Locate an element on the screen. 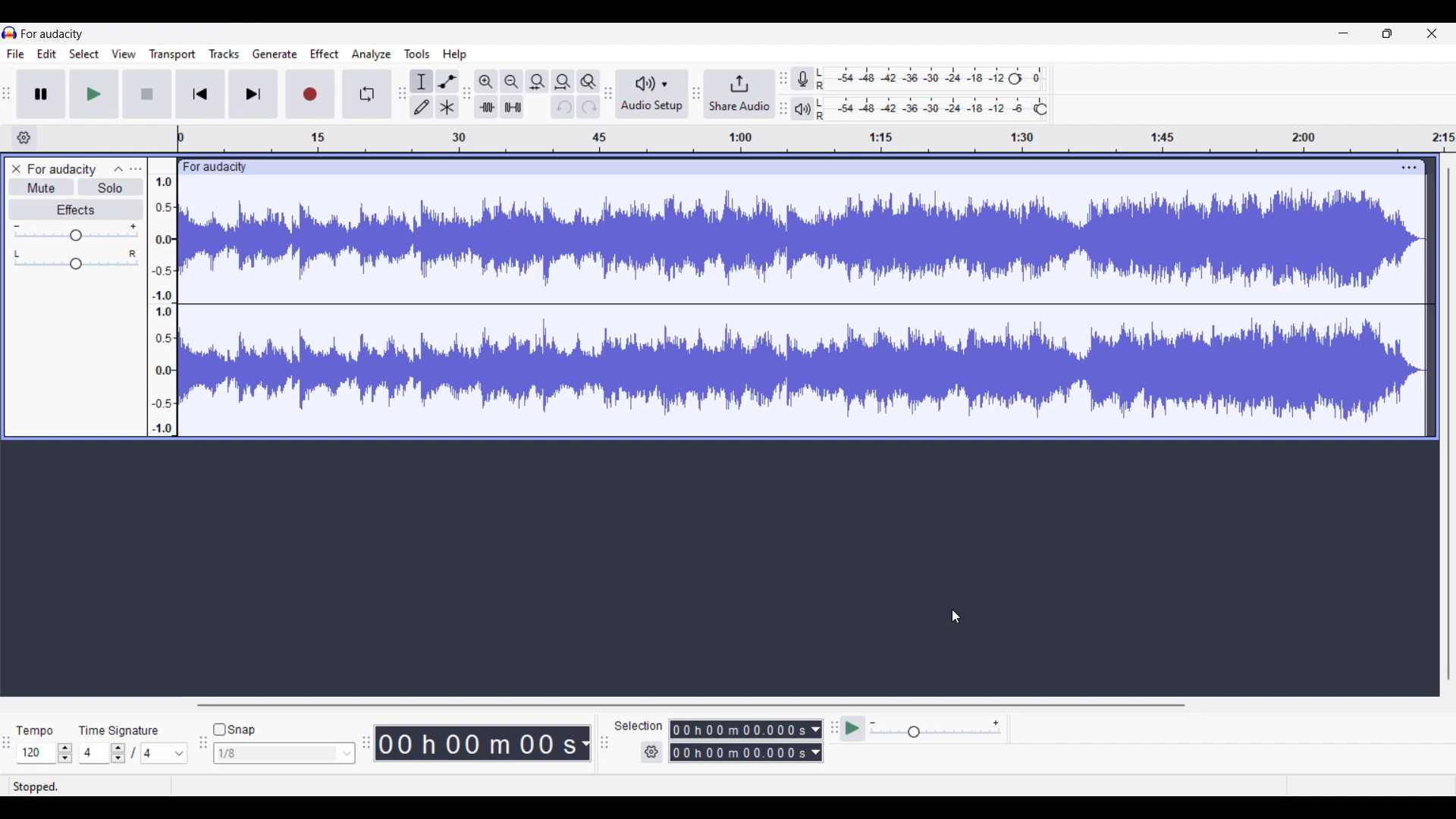  Header to change Playback level is located at coordinates (1041, 109).